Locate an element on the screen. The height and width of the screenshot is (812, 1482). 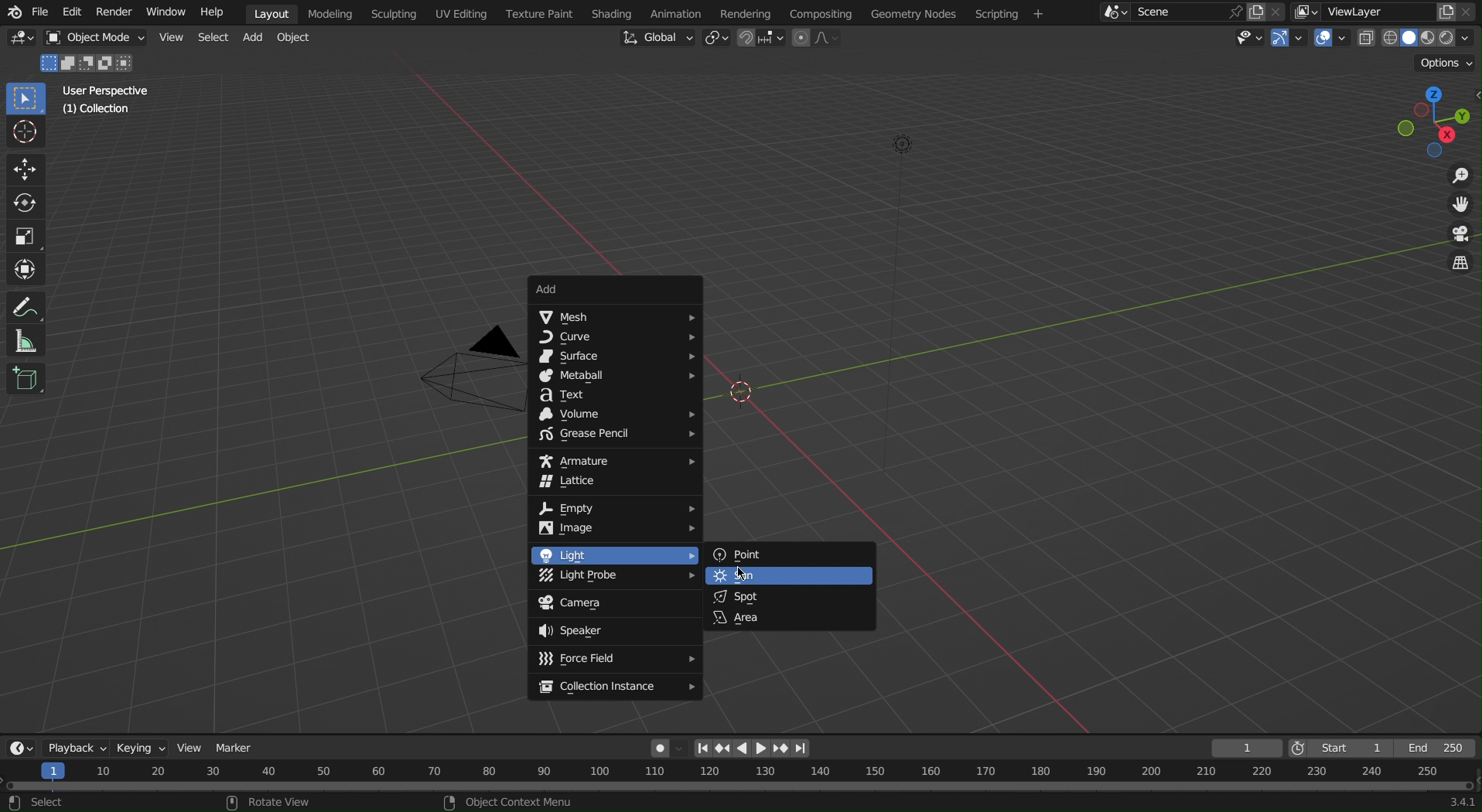
Geometry Nodes is located at coordinates (912, 12).